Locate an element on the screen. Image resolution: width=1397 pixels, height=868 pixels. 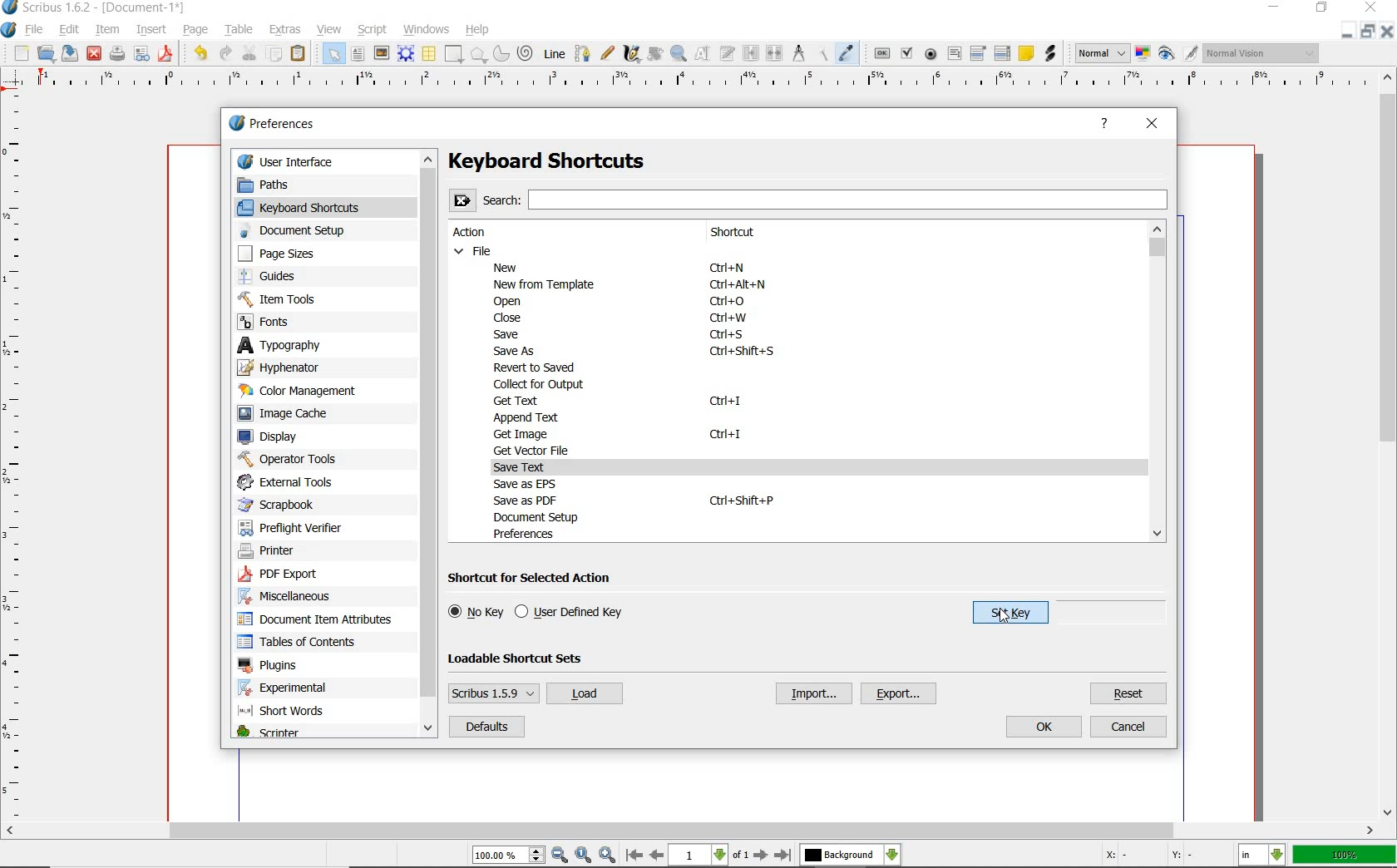
default is located at coordinates (486, 727).